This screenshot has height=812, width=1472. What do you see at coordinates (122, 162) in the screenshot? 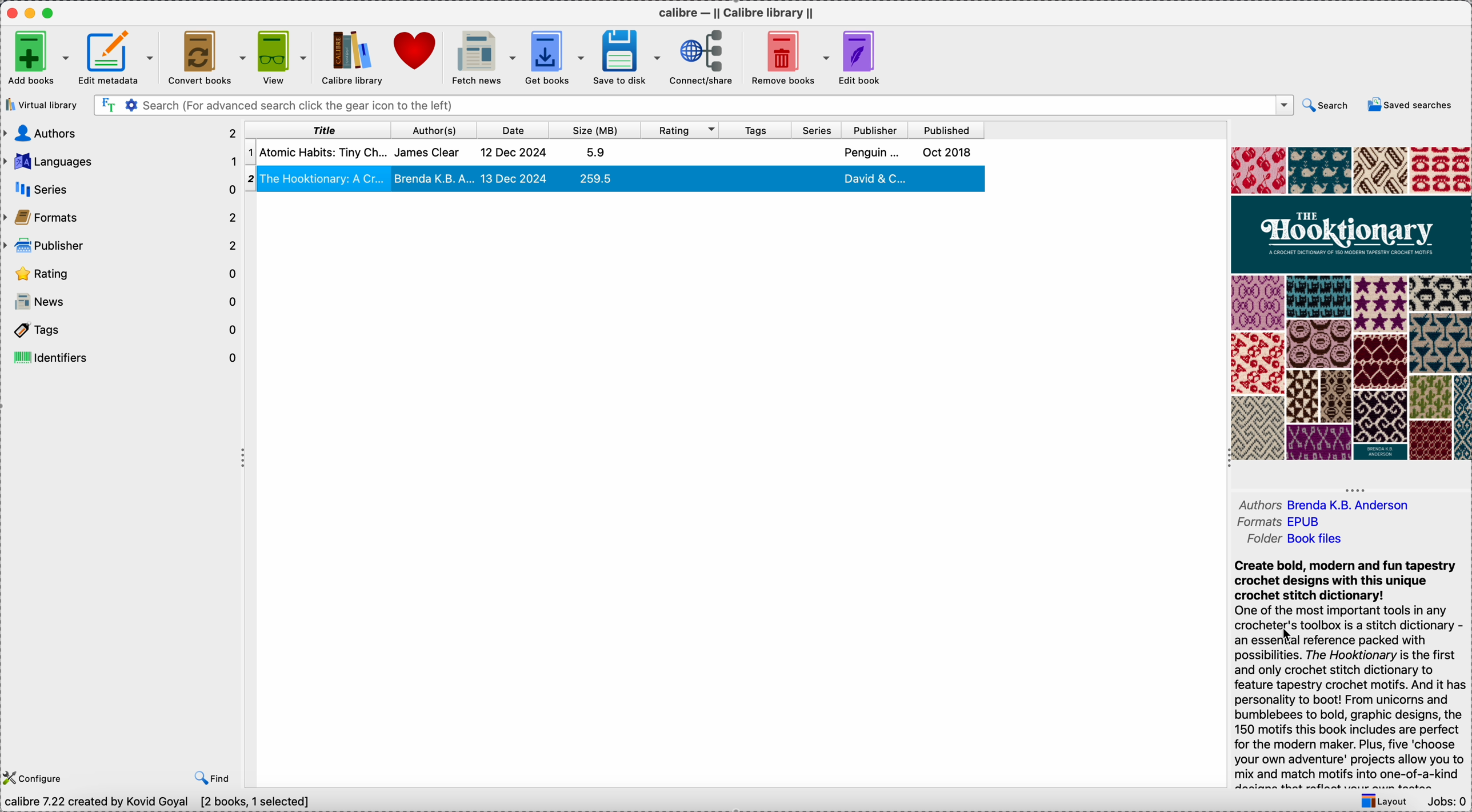
I see `languages` at bounding box center [122, 162].